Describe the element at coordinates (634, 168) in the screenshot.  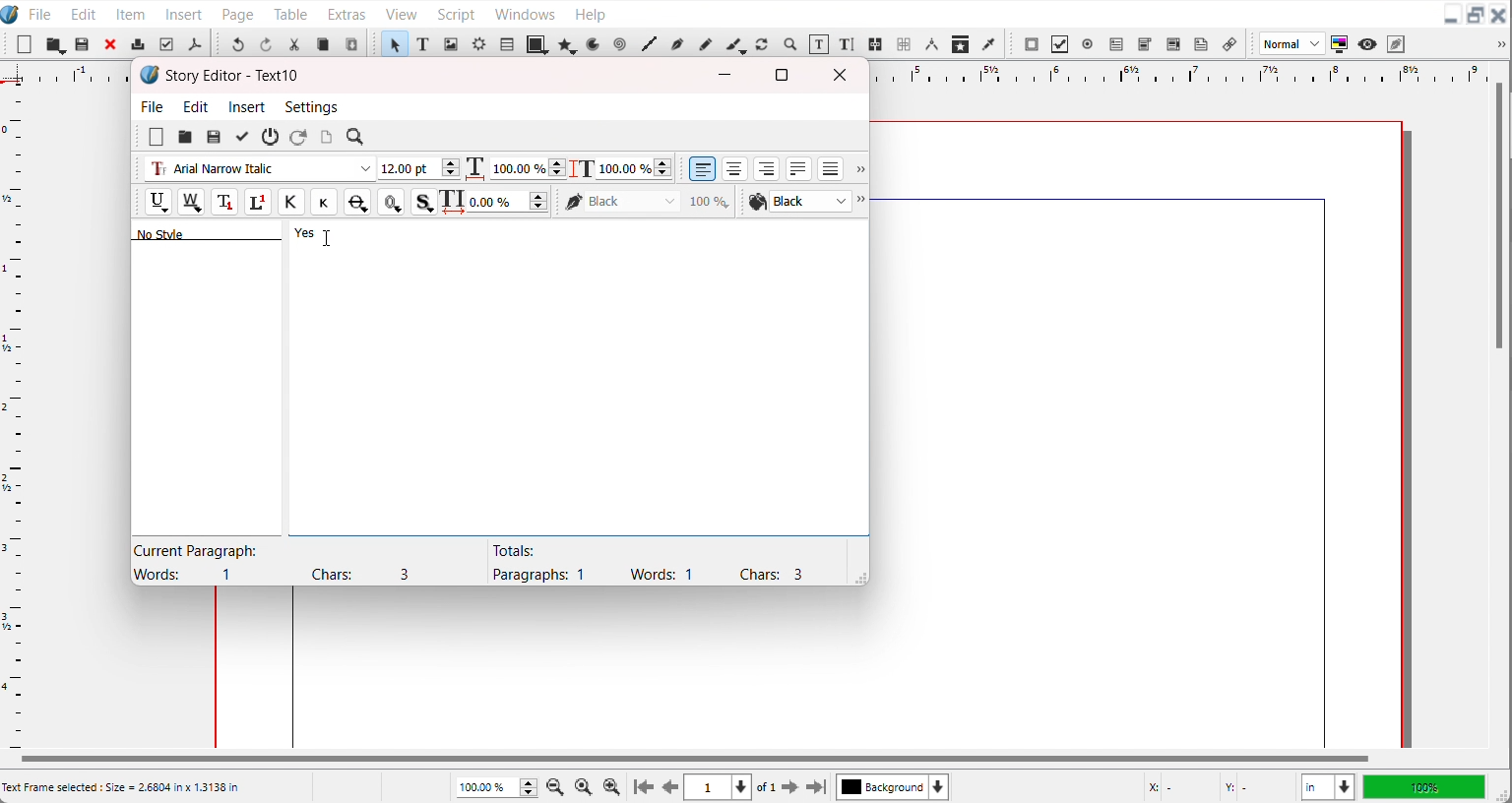
I see `Text Height Adjuster` at that location.